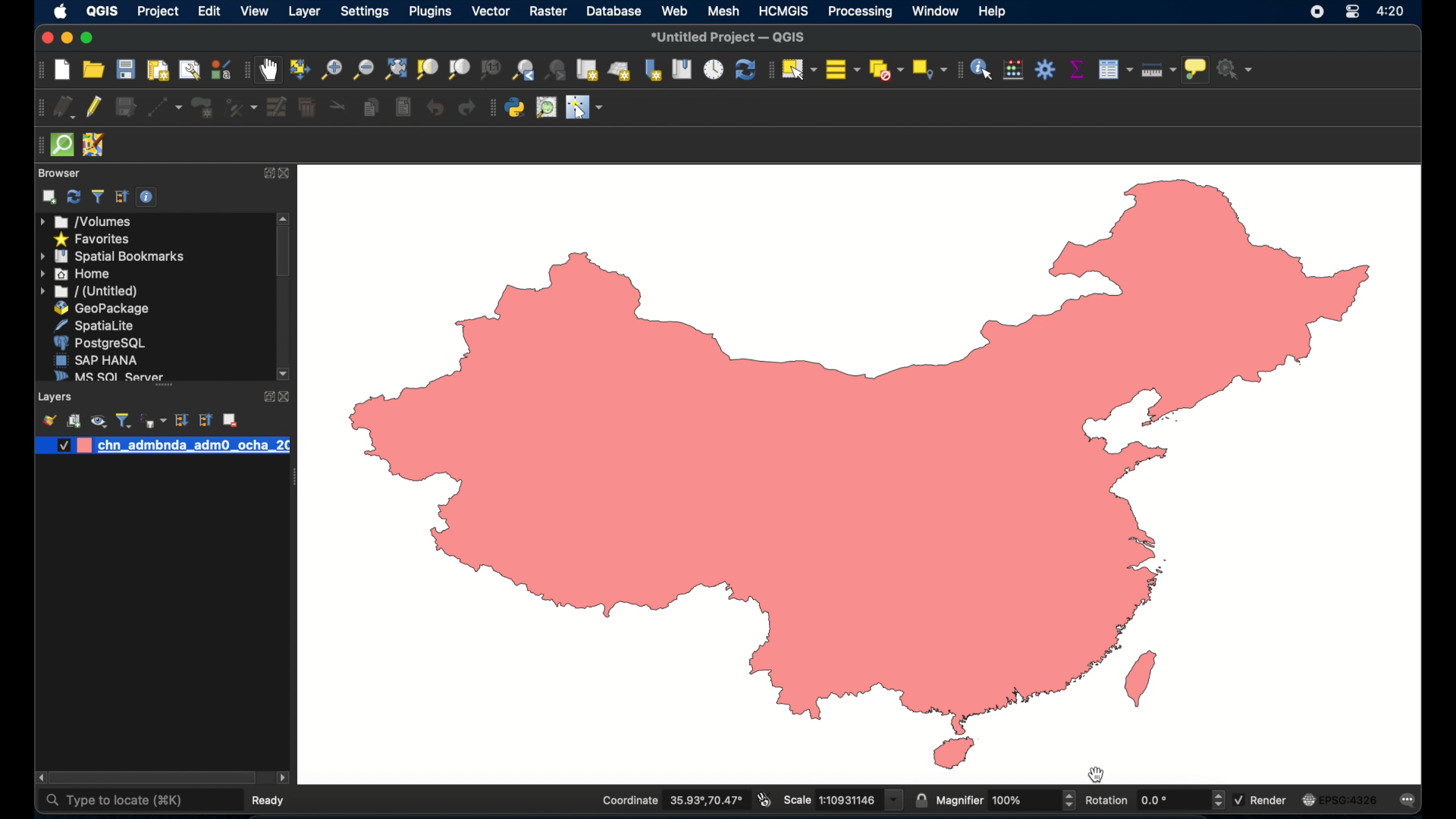 This screenshot has width=1456, height=819. Describe the element at coordinates (1316, 11) in the screenshot. I see `screen recorder icon` at that location.